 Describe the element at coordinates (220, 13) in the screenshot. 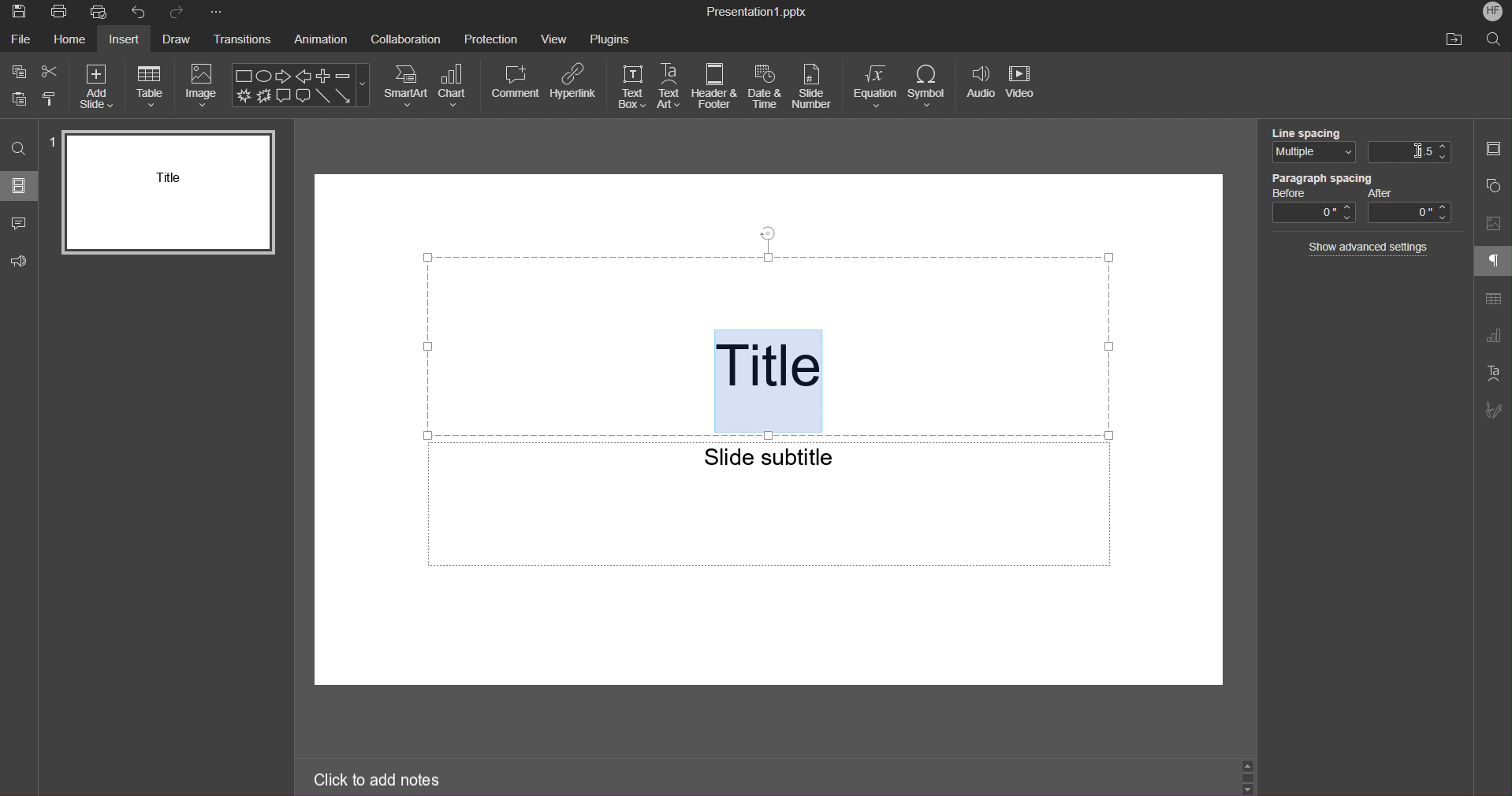

I see `More` at that location.